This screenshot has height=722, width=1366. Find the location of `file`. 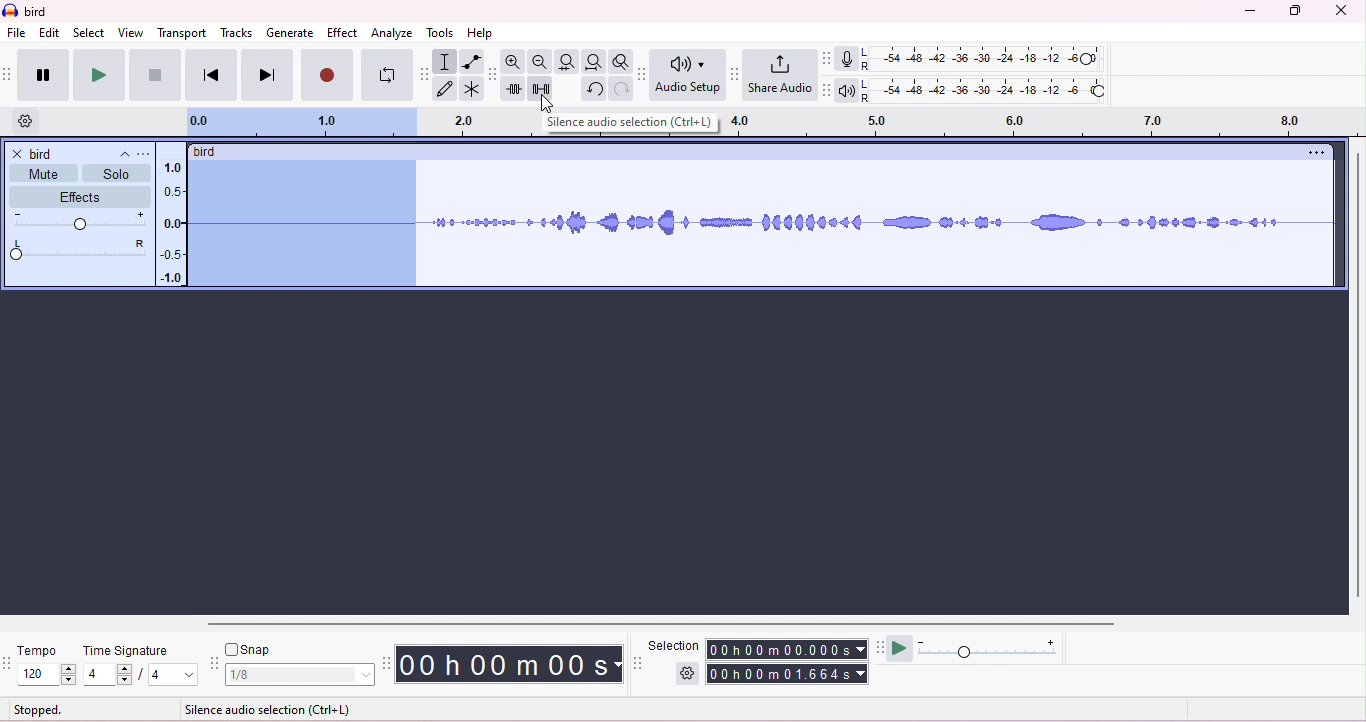

file is located at coordinates (16, 32).